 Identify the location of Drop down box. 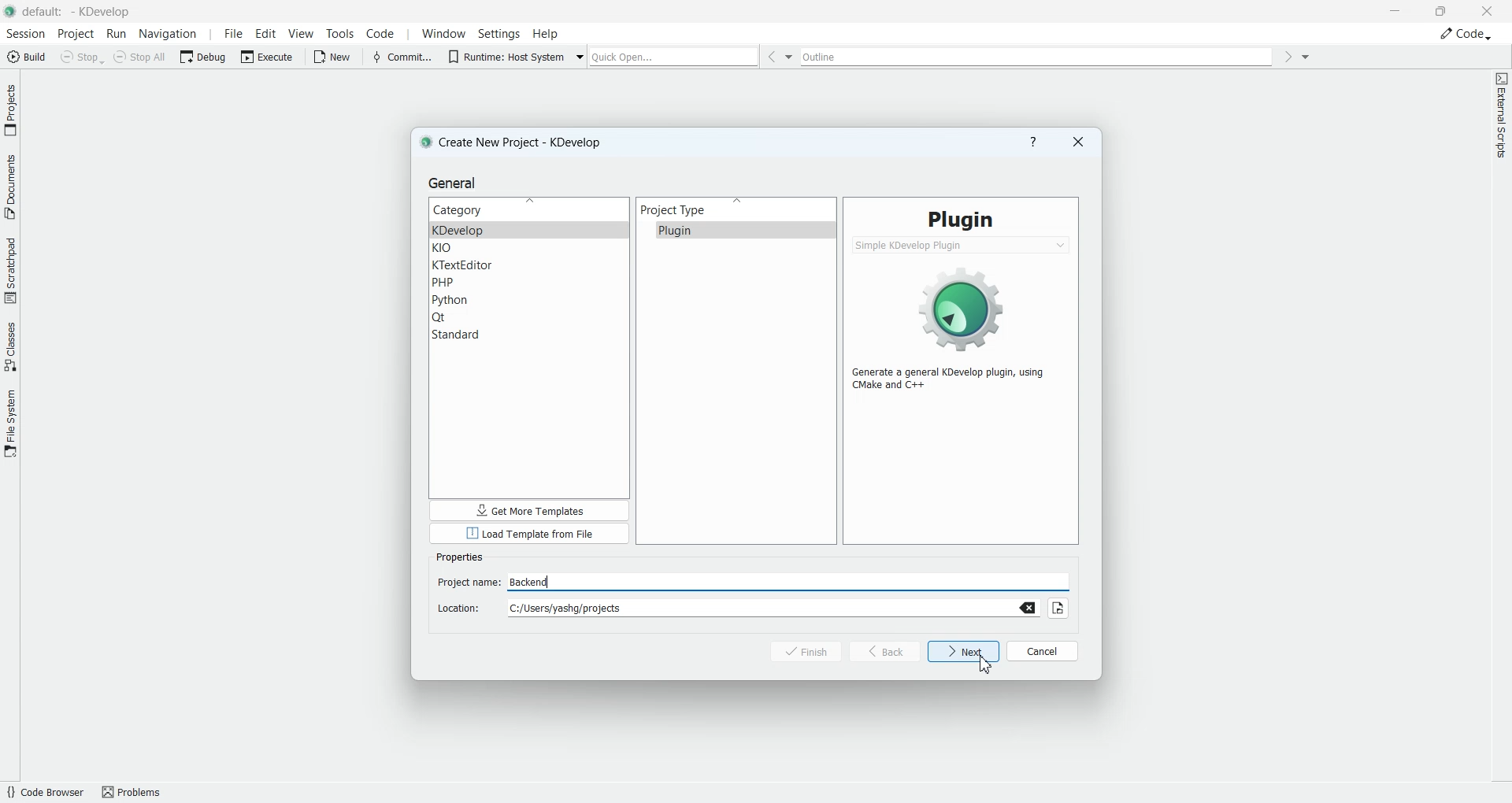
(1306, 56).